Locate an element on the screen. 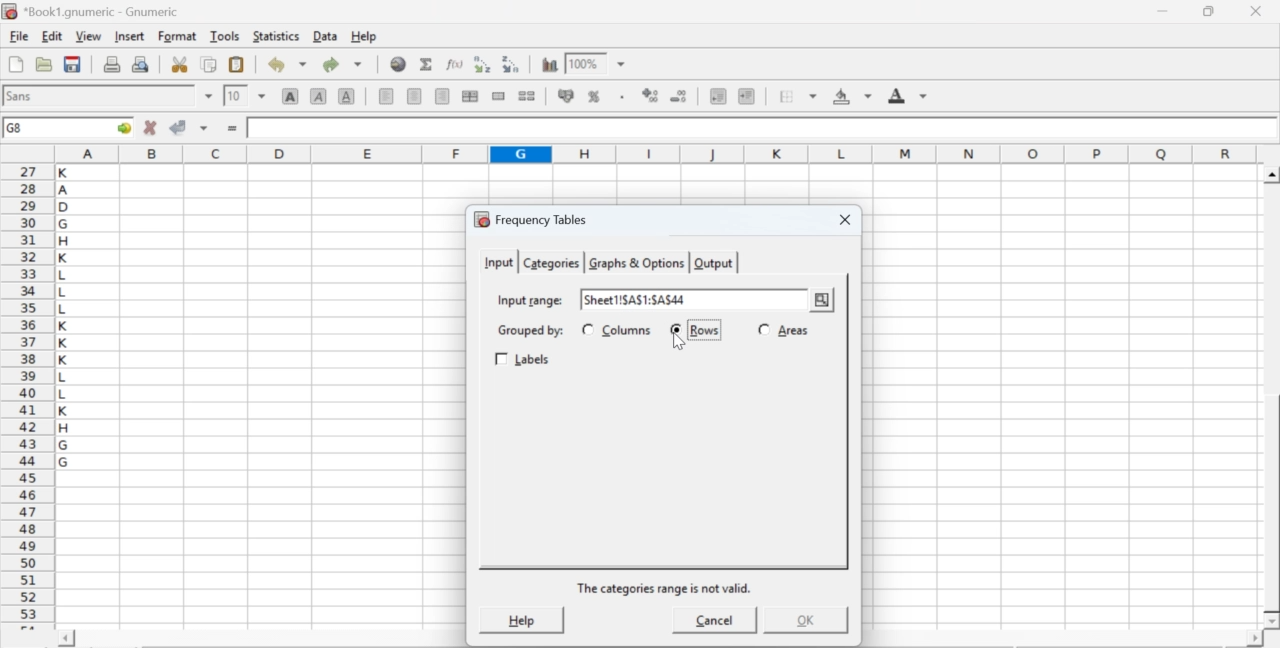  align right is located at coordinates (442, 97).